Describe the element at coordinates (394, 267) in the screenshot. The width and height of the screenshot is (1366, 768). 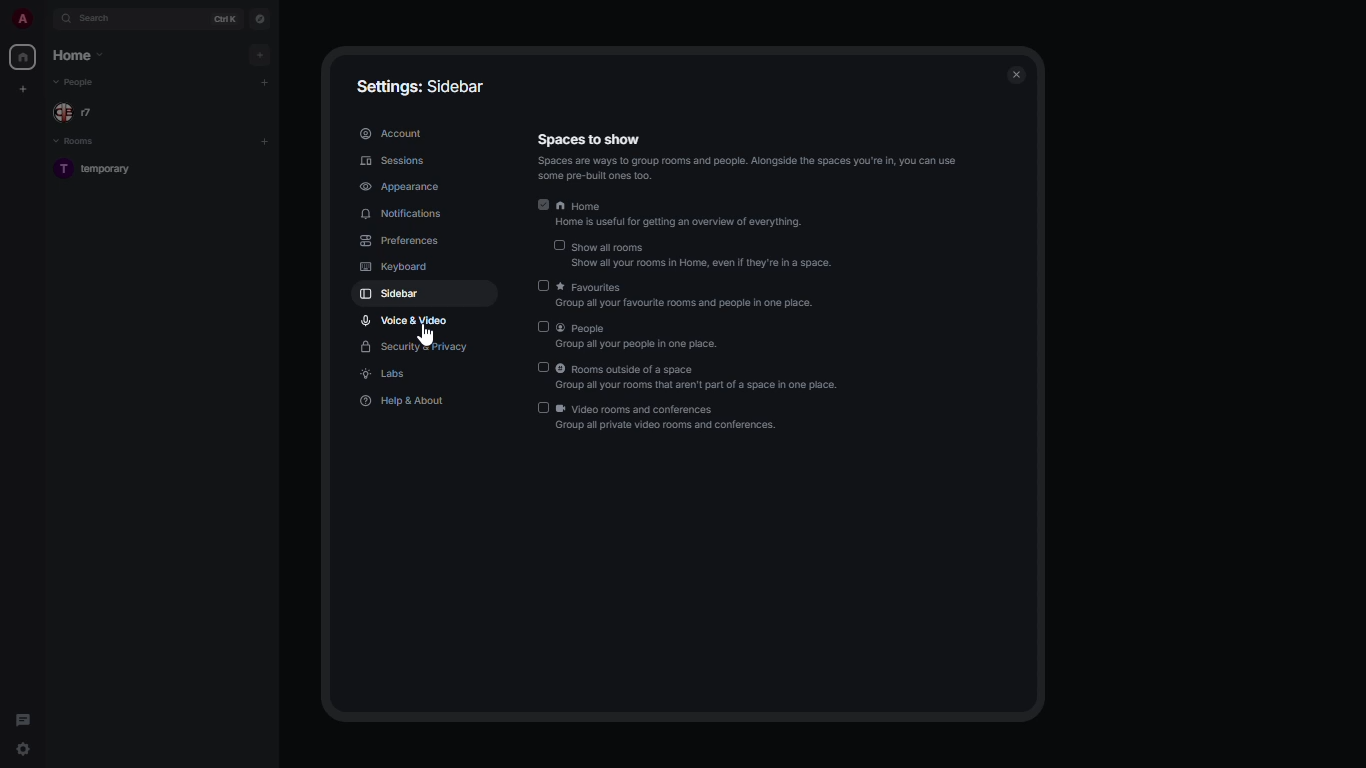
I see `keyboard` at that location.